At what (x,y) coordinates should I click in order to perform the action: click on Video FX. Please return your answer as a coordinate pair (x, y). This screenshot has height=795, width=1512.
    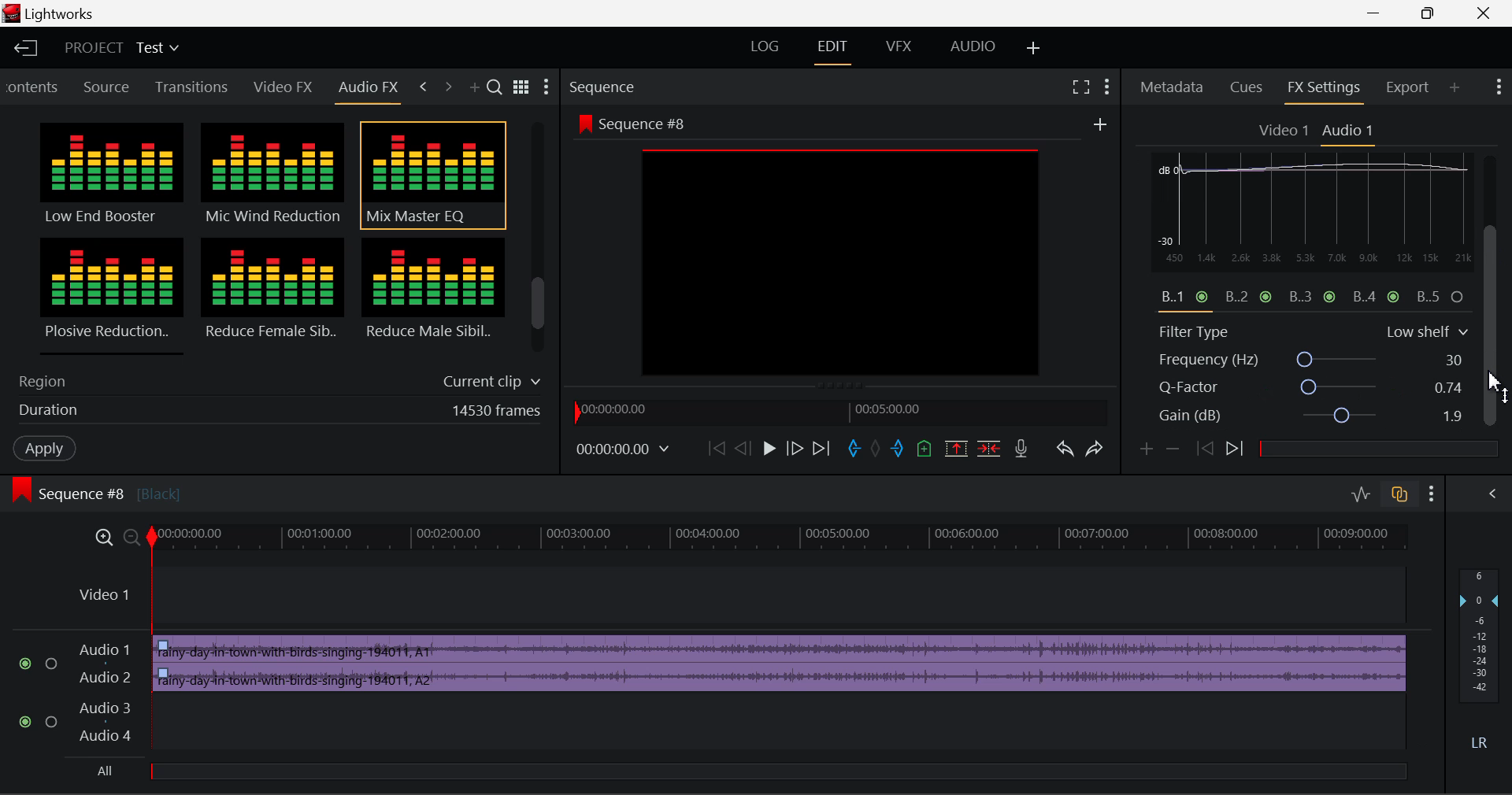
    Looking at the image, I should click on (279, 88).